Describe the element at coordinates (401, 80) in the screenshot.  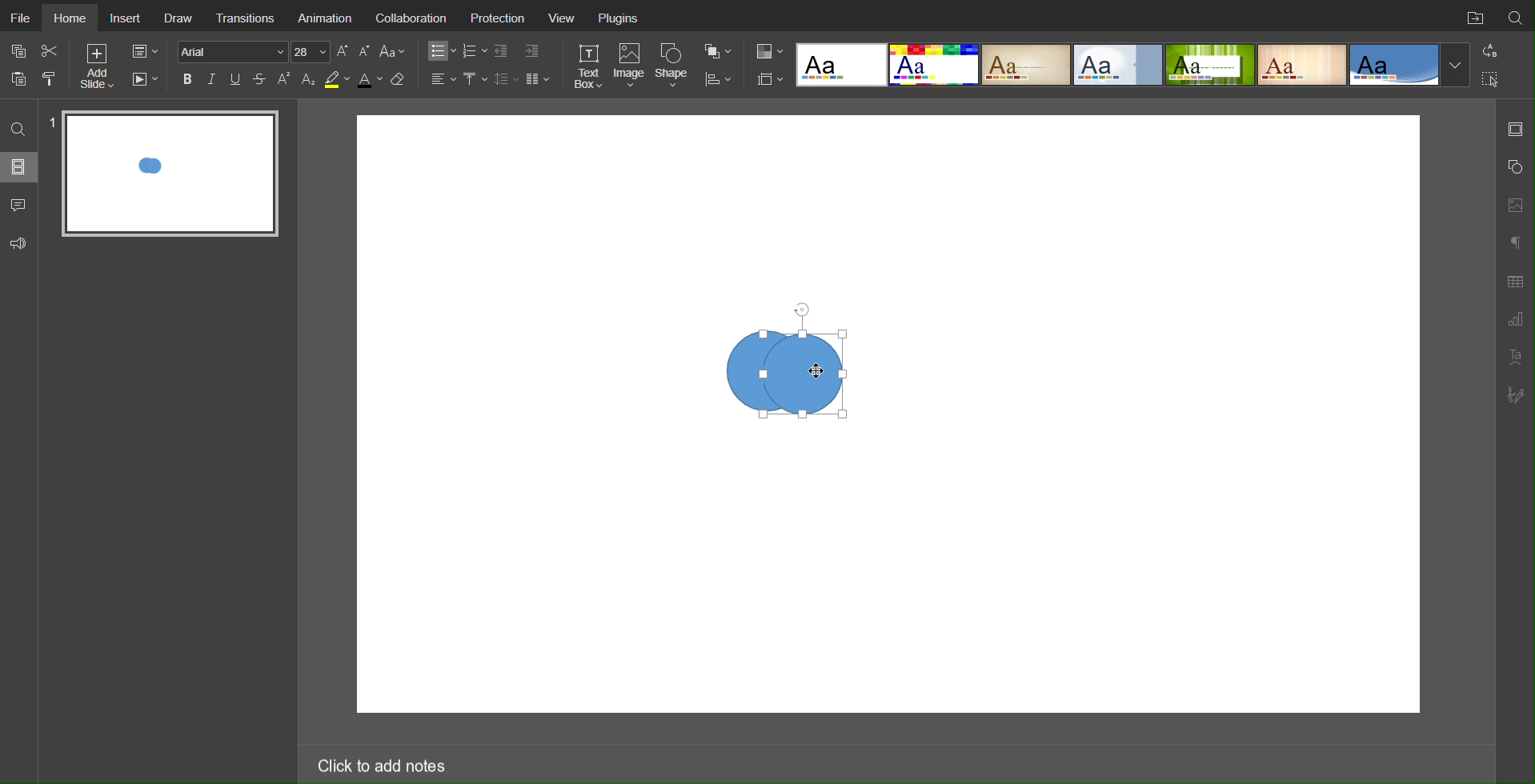
I see `Erase` at that location.